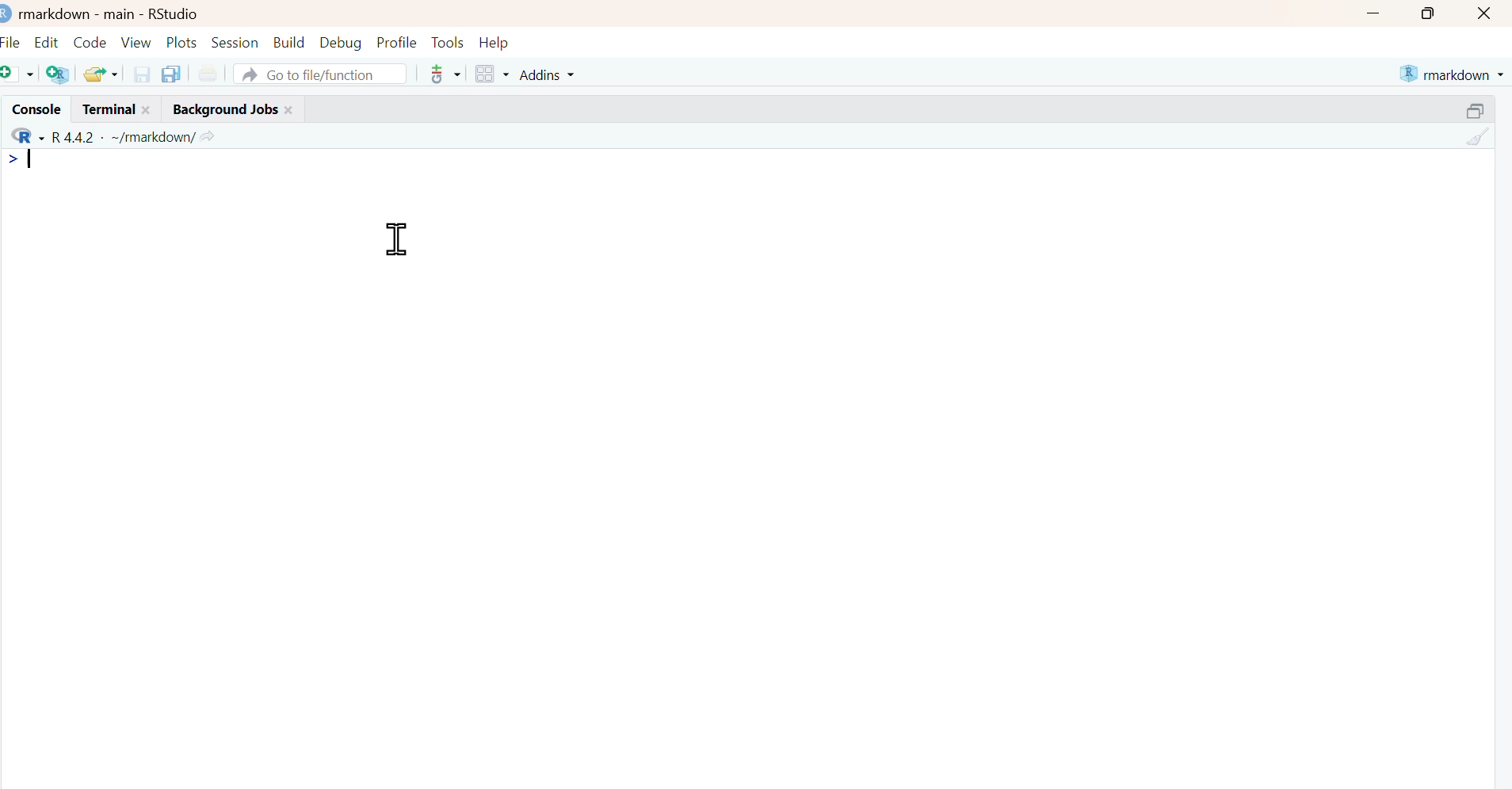 The image size is (1512, 789). What do you see at coordinates (151, 109) in the screenshot?
I see `close` at bounding box center [151, 109].